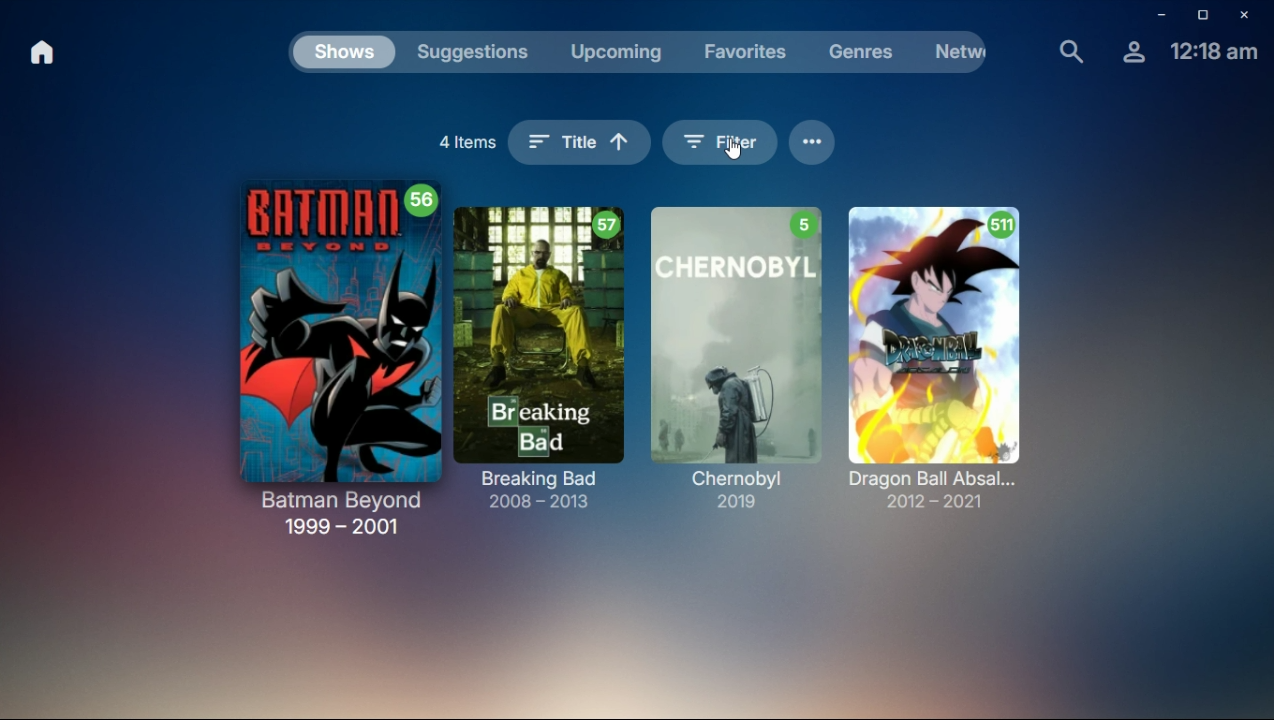 The height and width of the screenshot is (720, 1274). Describe the element at coordinates (1214, 52) in the screenshot. I see `12.18 am` at that location.